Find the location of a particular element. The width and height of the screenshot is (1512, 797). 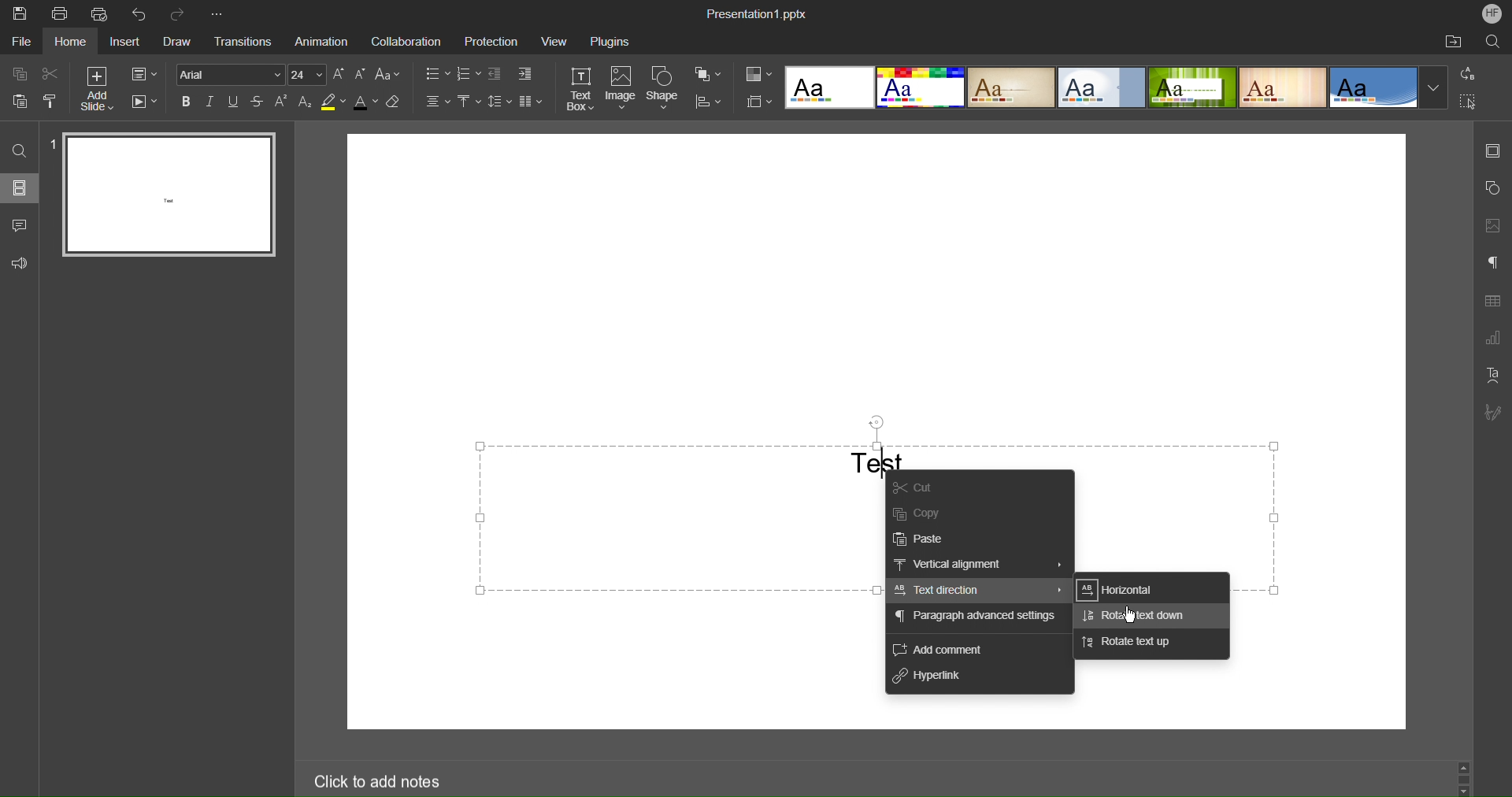

Rotate text up is located at coordinates (1127, 643).